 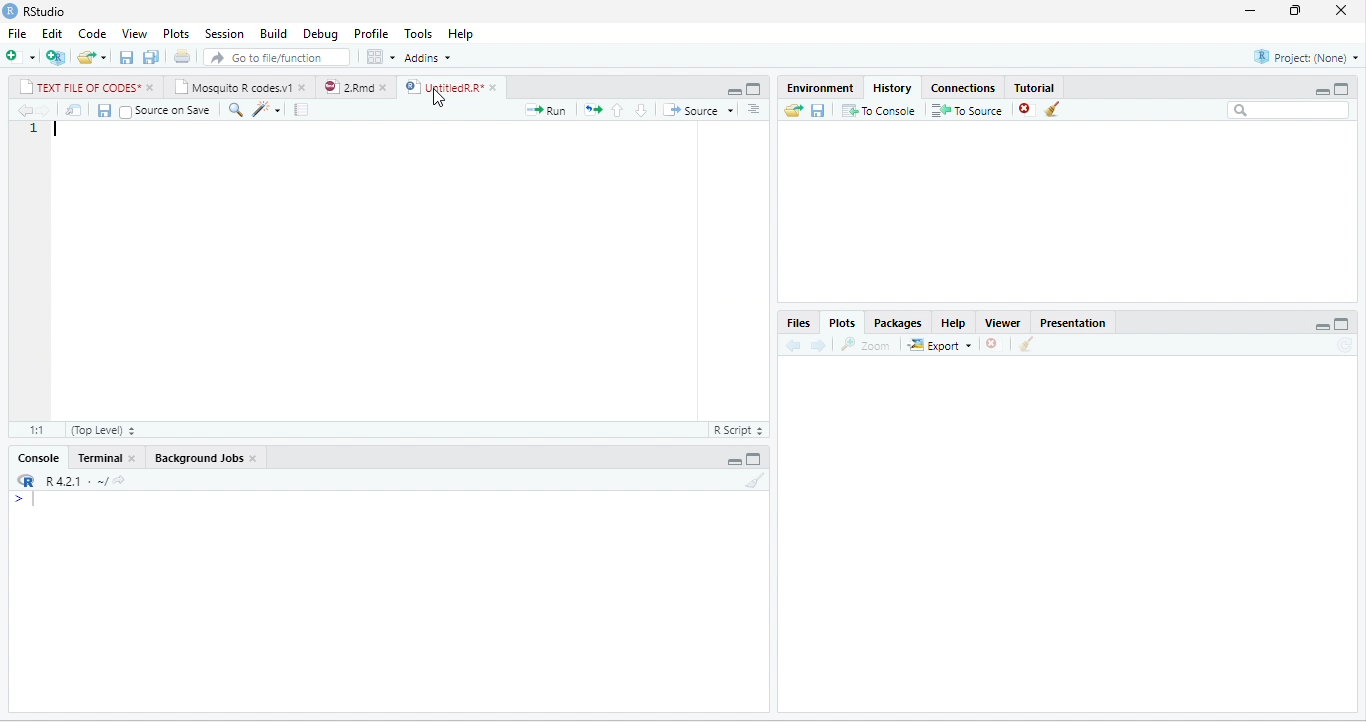 I want to click on back, so click(x=794, y=346).